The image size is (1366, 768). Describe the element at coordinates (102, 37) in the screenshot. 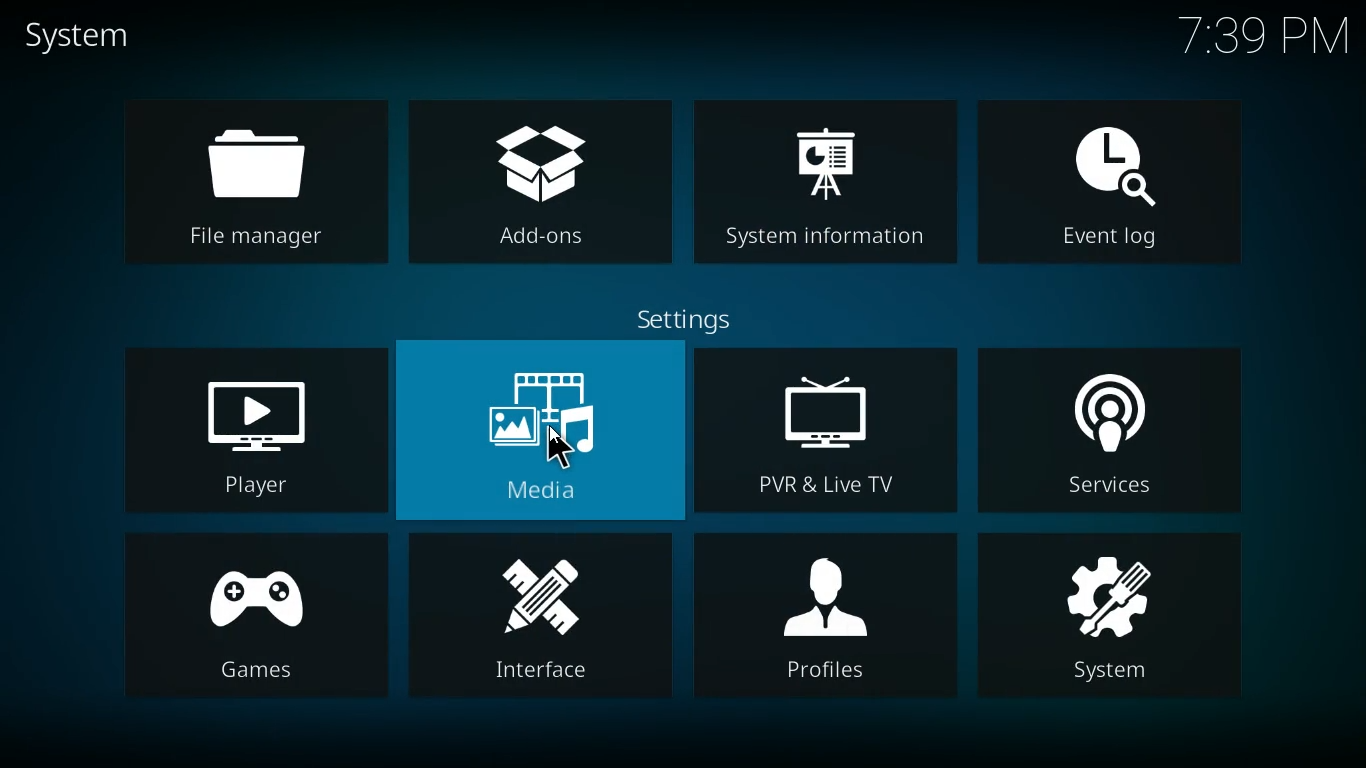

I see `system` at that location.